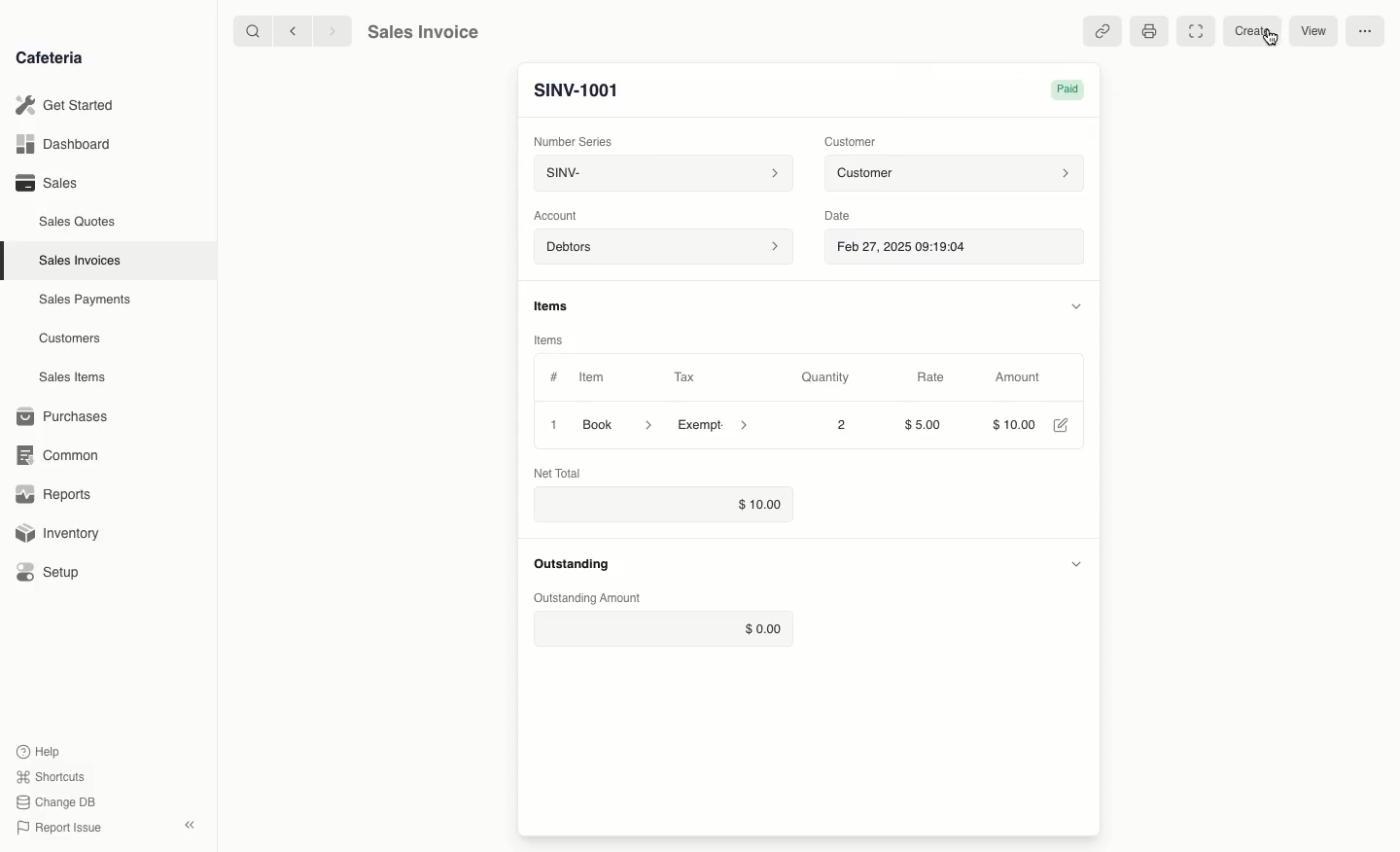 The image size is (1400, 852). Describe the element at coordinates (592, 376) in the screenshot. I see `Item` at that location.